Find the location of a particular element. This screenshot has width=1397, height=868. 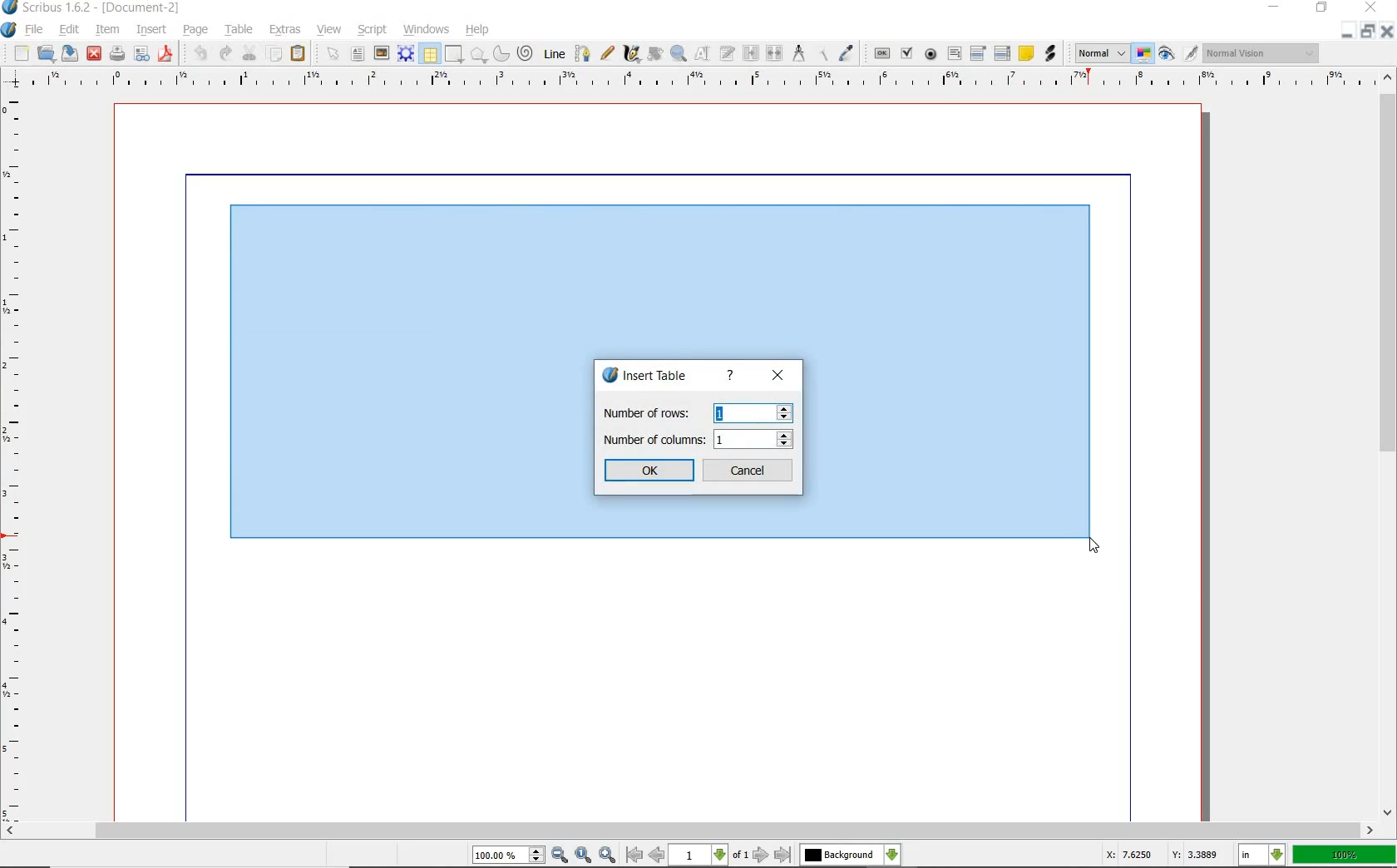

polygon is located at coordinates (478, 55).